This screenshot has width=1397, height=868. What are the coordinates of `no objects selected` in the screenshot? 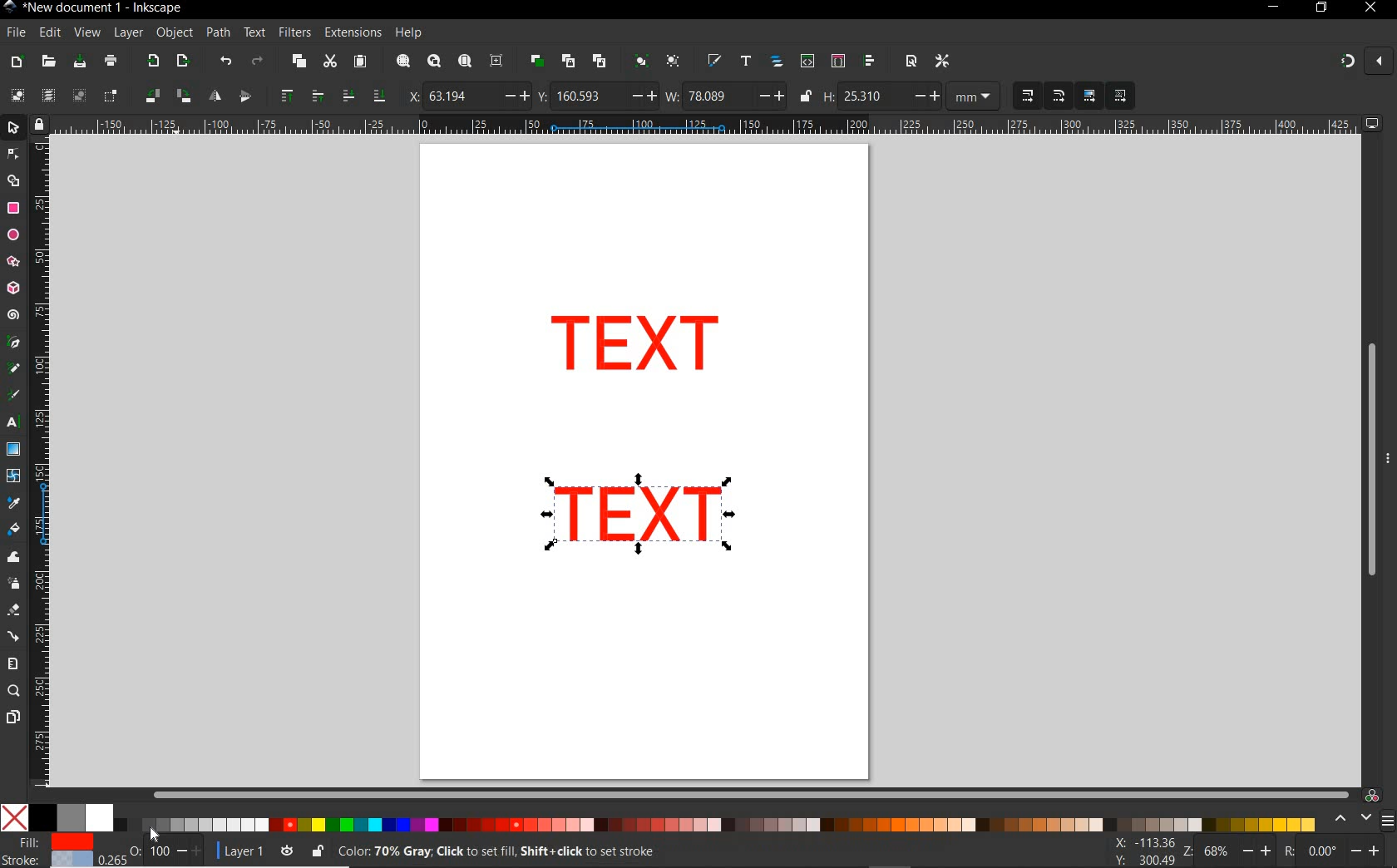 It's located at (637, 851).